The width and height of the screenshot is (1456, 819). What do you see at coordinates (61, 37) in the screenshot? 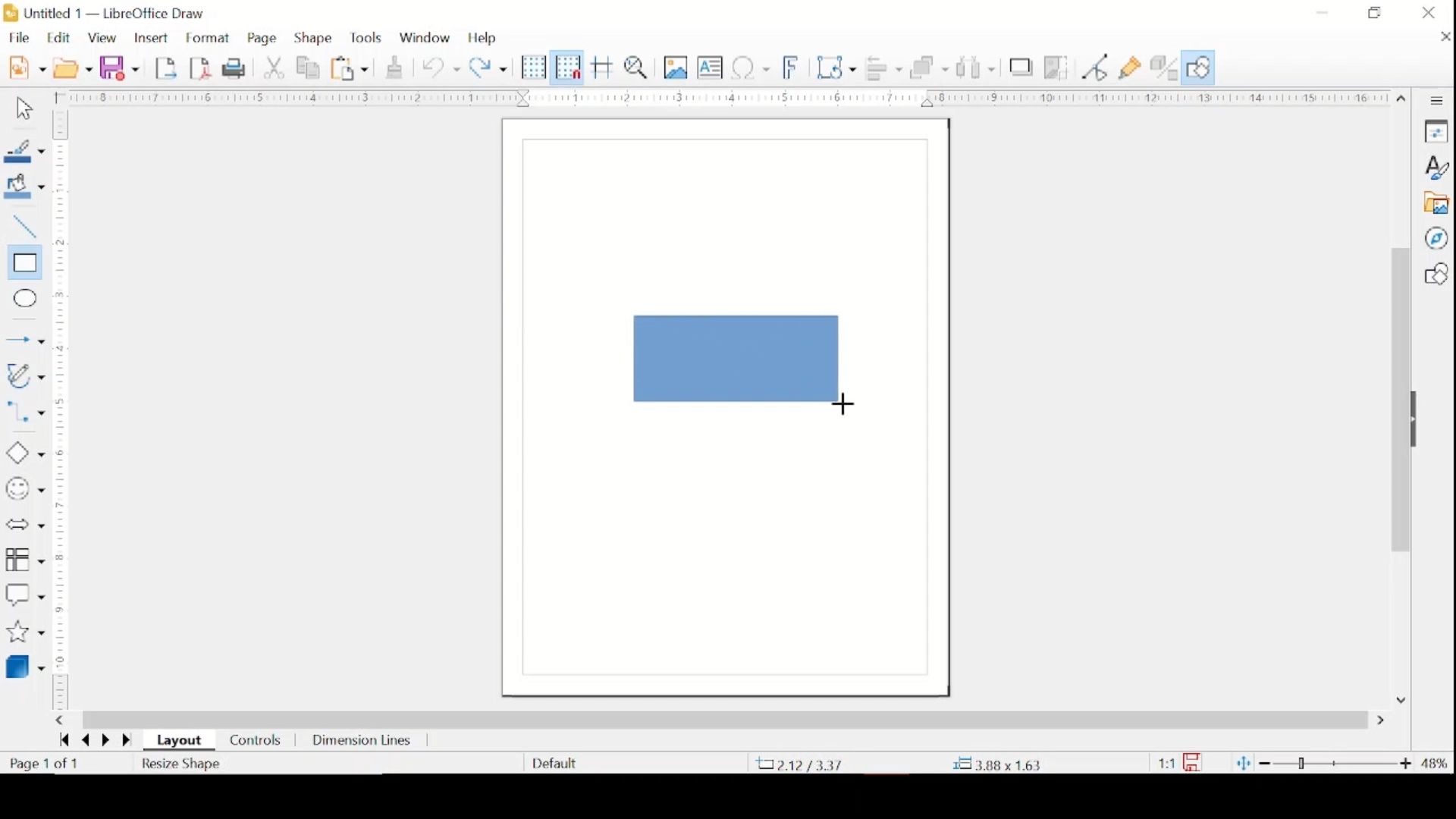
I see `edit` at bounding box center [61, 37].